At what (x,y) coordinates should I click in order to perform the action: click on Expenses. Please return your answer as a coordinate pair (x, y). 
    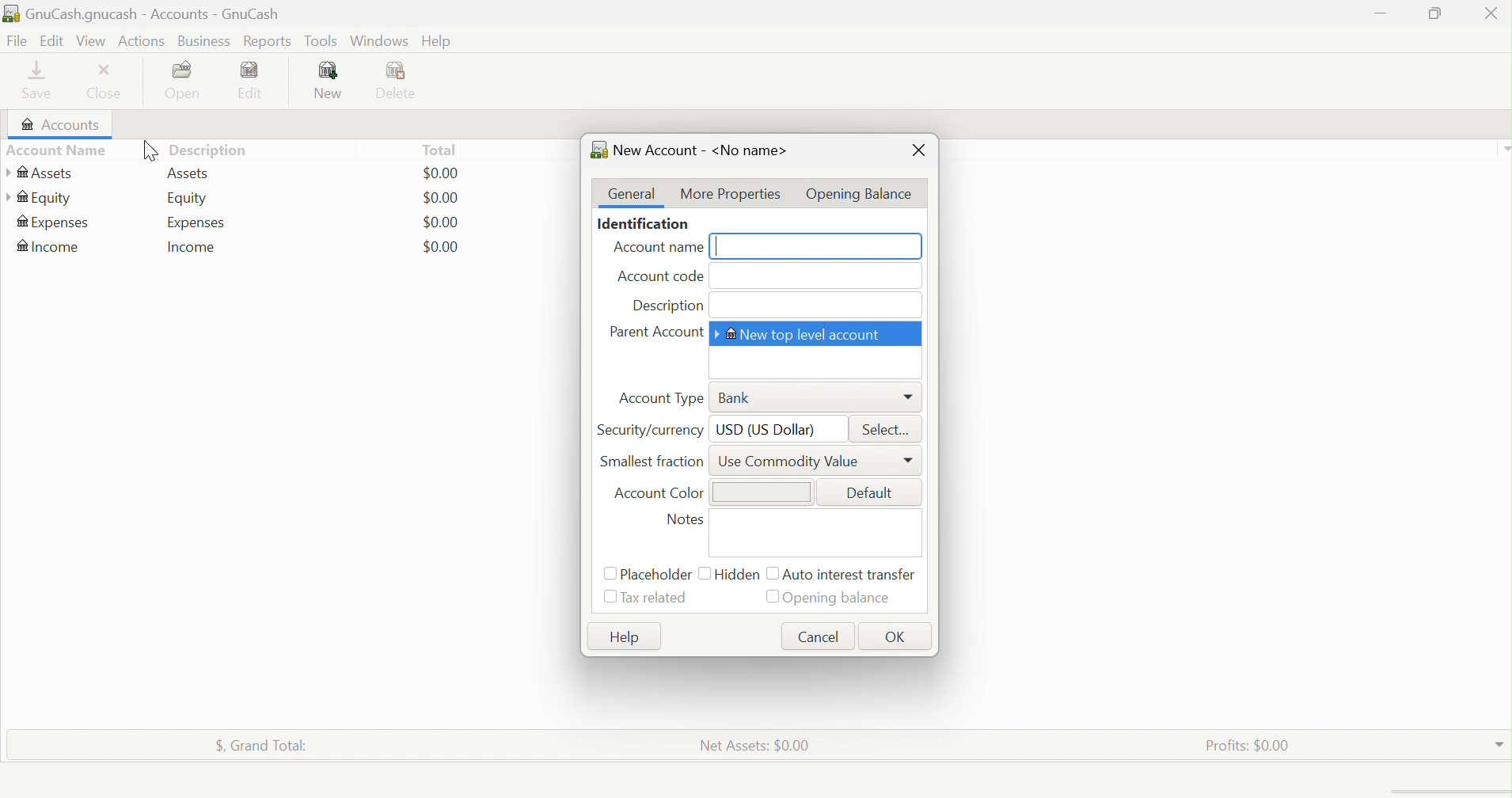
    Looking at the image, I should click on (197, 222).